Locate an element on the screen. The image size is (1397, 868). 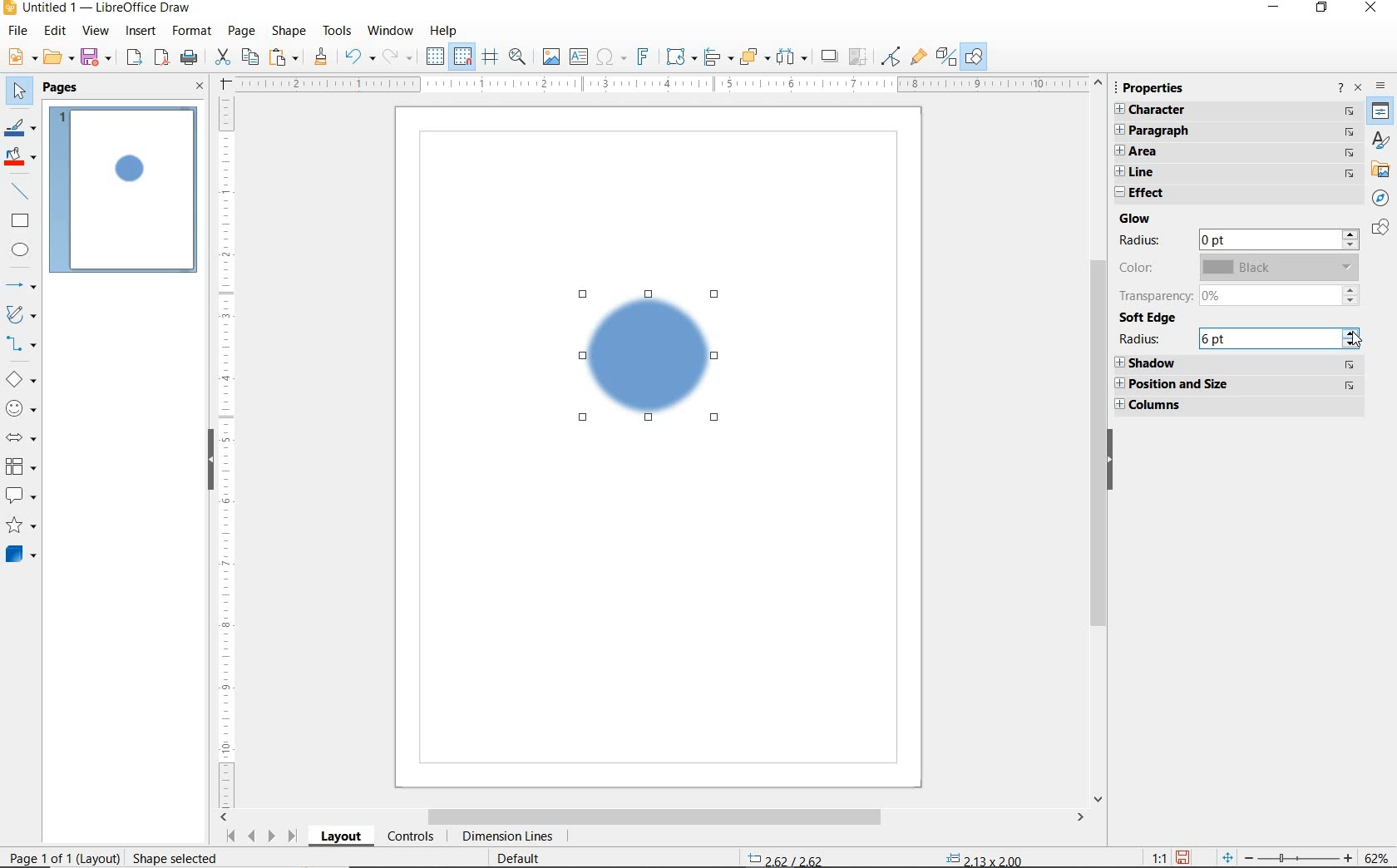
DIMENSION LINES is located at coordinates (511, 836).